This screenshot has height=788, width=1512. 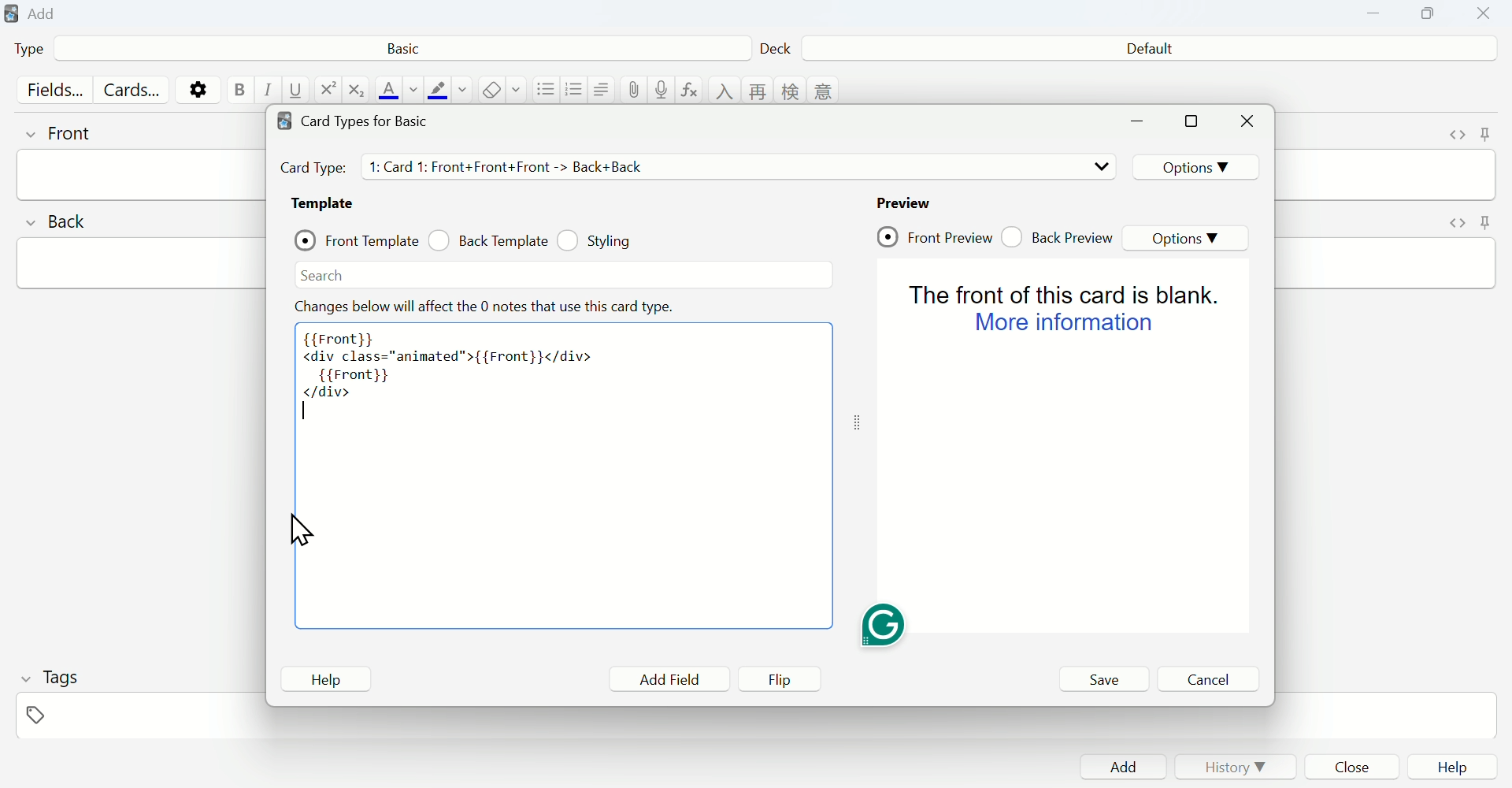 I want to click on Back Preview, so click(x=1058, y=238).